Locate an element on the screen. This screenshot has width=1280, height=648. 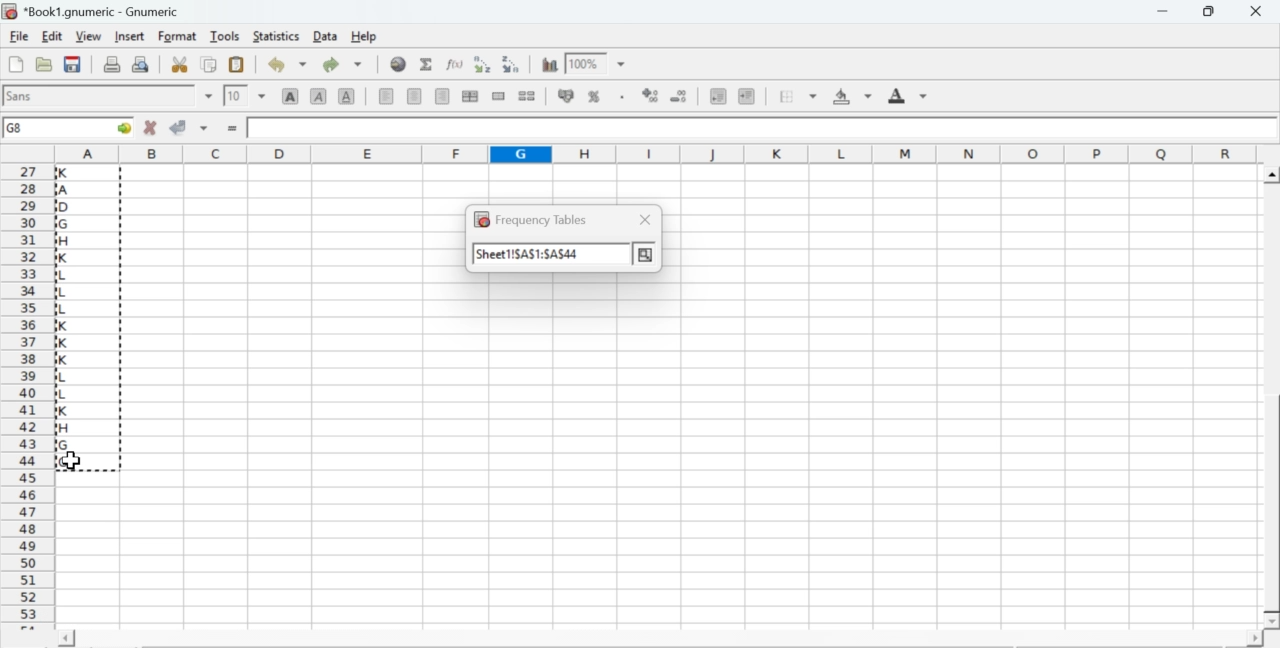
G8 is located at coordinates (17, 128).